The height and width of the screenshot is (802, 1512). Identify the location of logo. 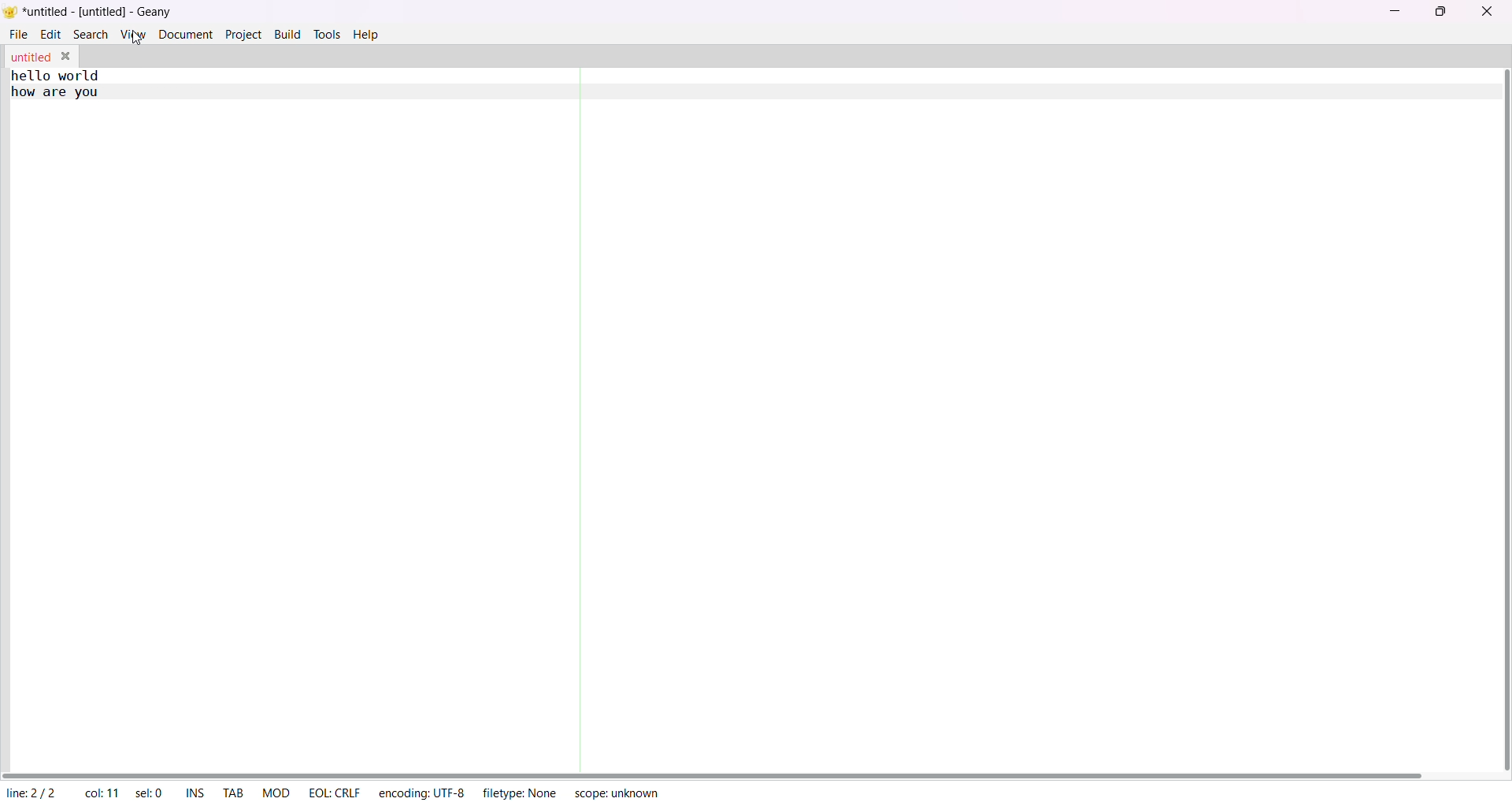
(12, 11).